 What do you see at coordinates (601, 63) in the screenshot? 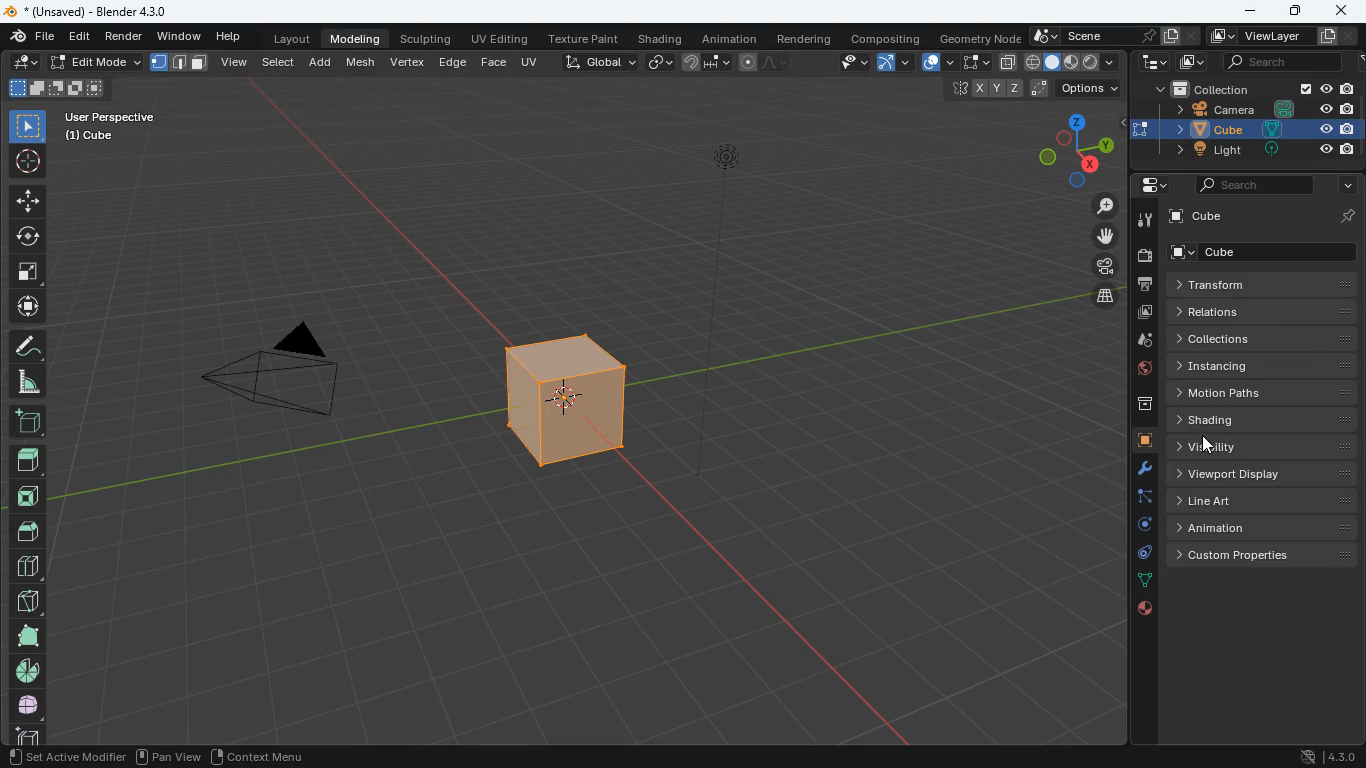
I see `global` at bounding box center [601, 63].